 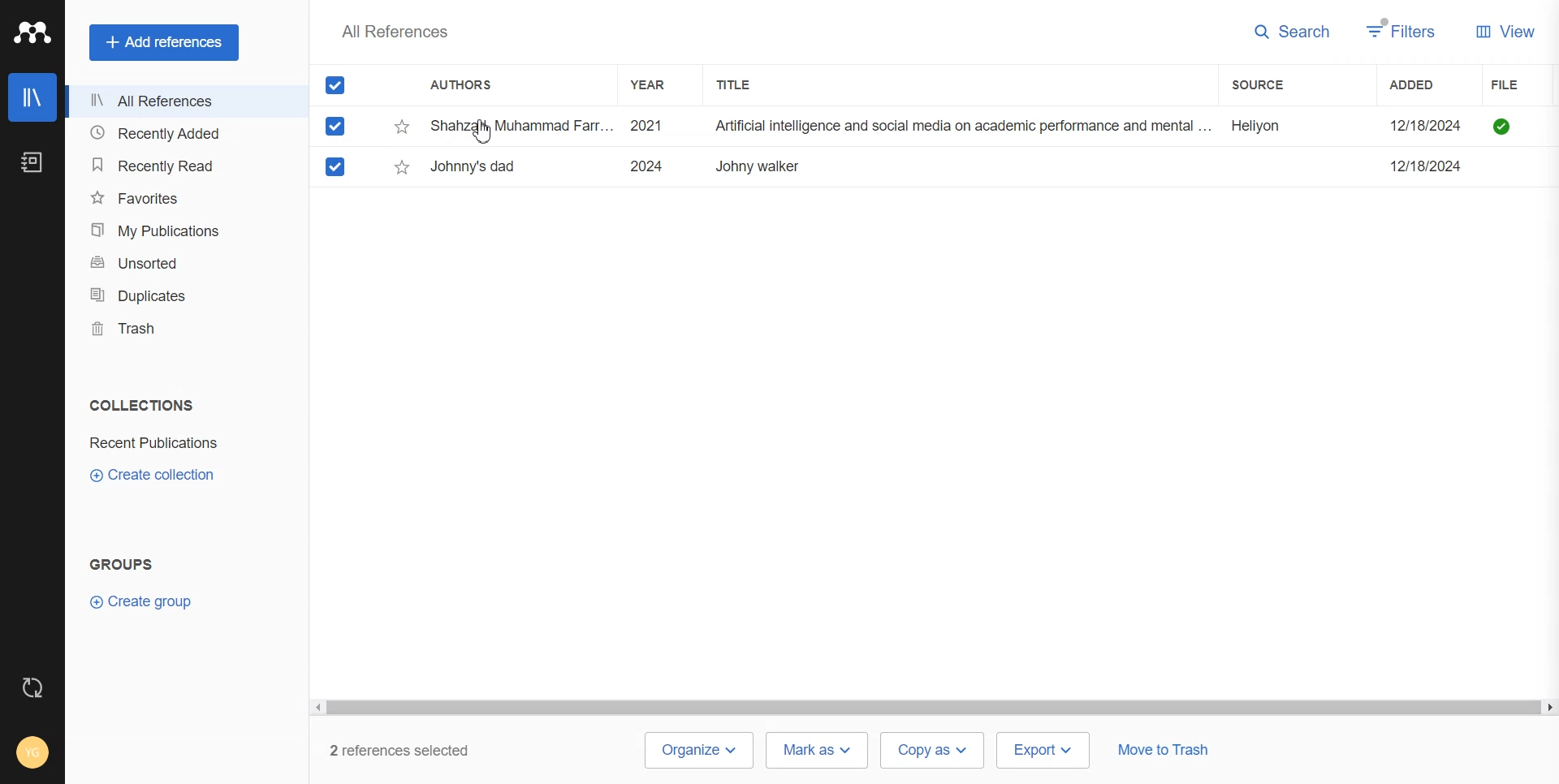 What do you see at coordinates (180, 328) in the screenshot?
I see `Trash` at bounding box center [180, 328].